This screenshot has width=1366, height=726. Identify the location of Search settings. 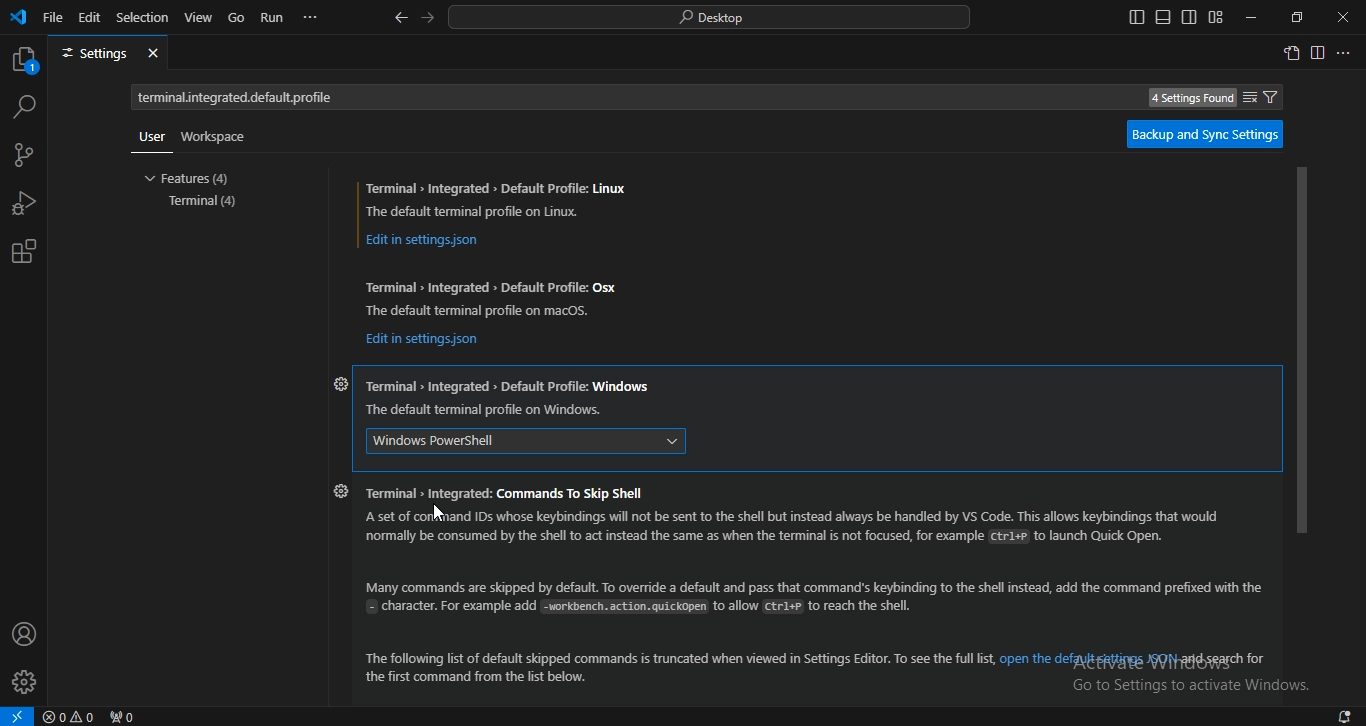
(724, 96).